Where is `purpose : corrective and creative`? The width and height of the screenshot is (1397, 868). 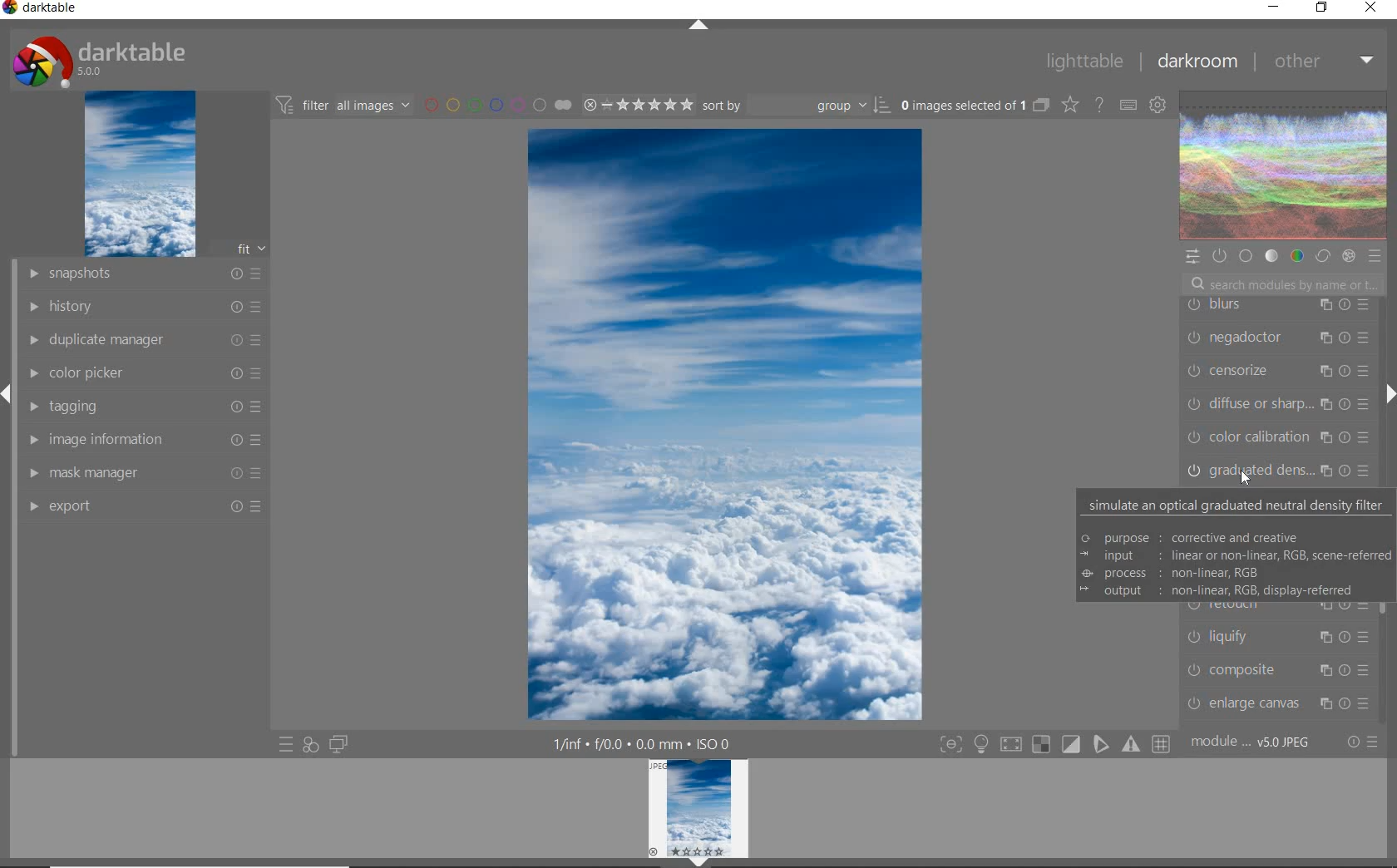 purpose : corrective and creative is located at coordinates (1192, 536).